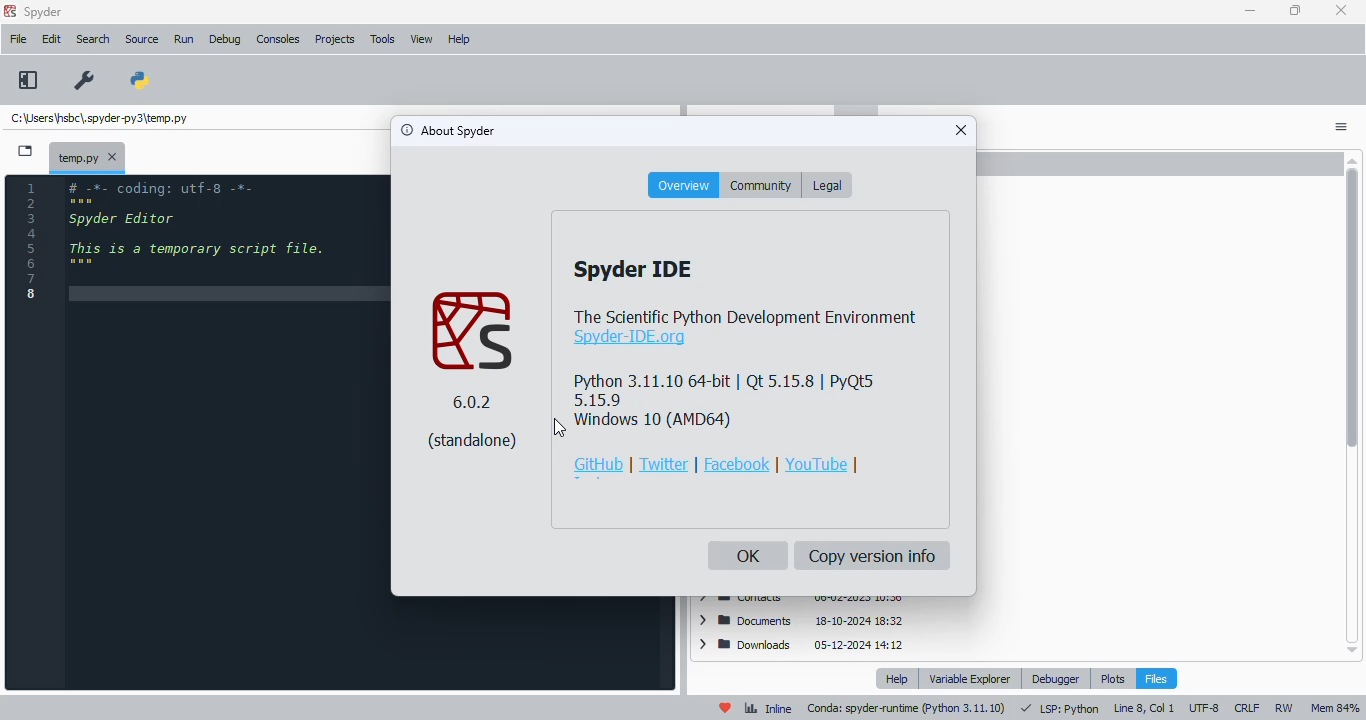  I want to click on > BB Contacts 06-02-2023 10:36, so click(799, 600).